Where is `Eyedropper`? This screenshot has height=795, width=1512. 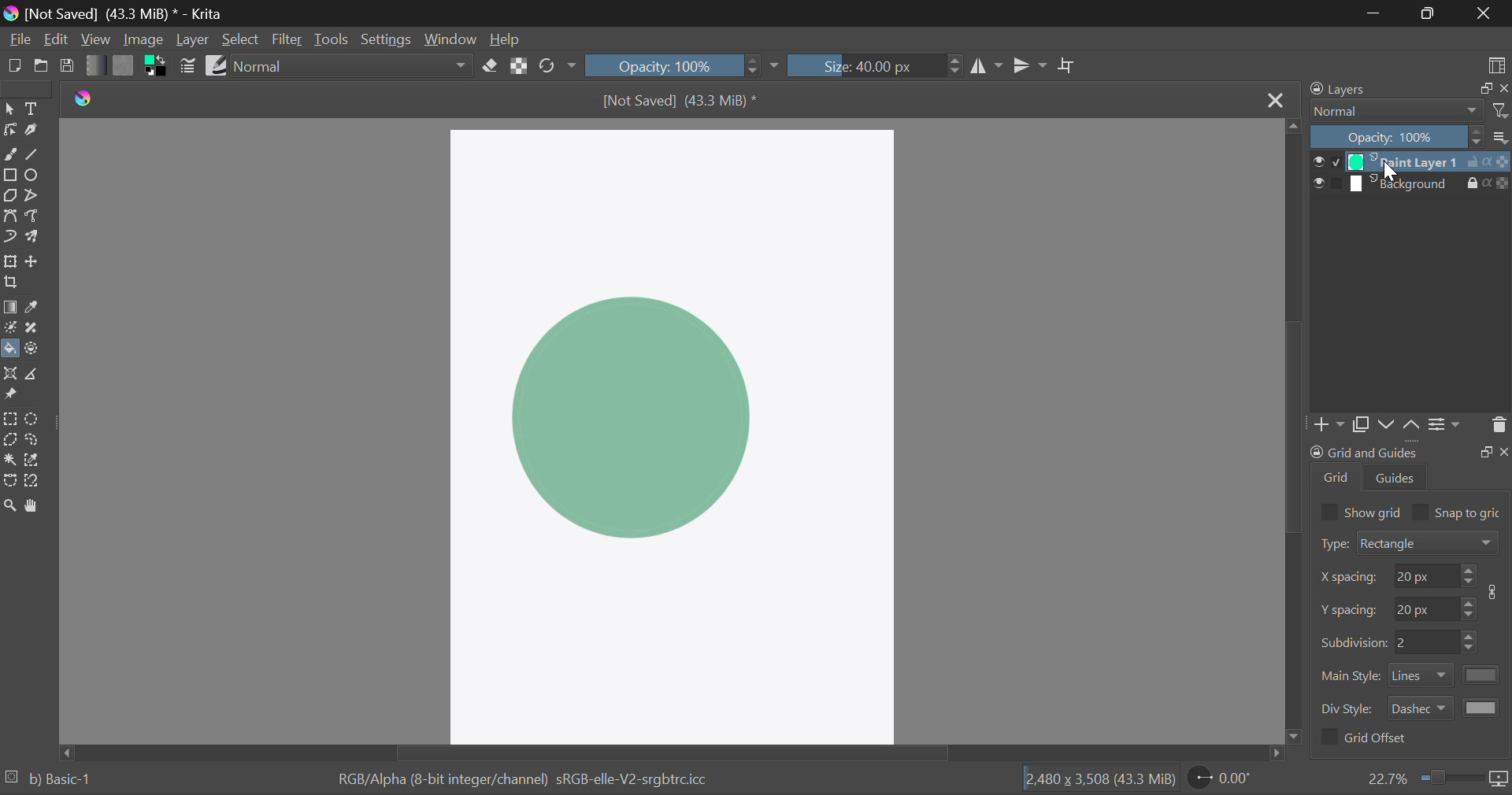
Eyedropper is located at coordinates (35, 306).